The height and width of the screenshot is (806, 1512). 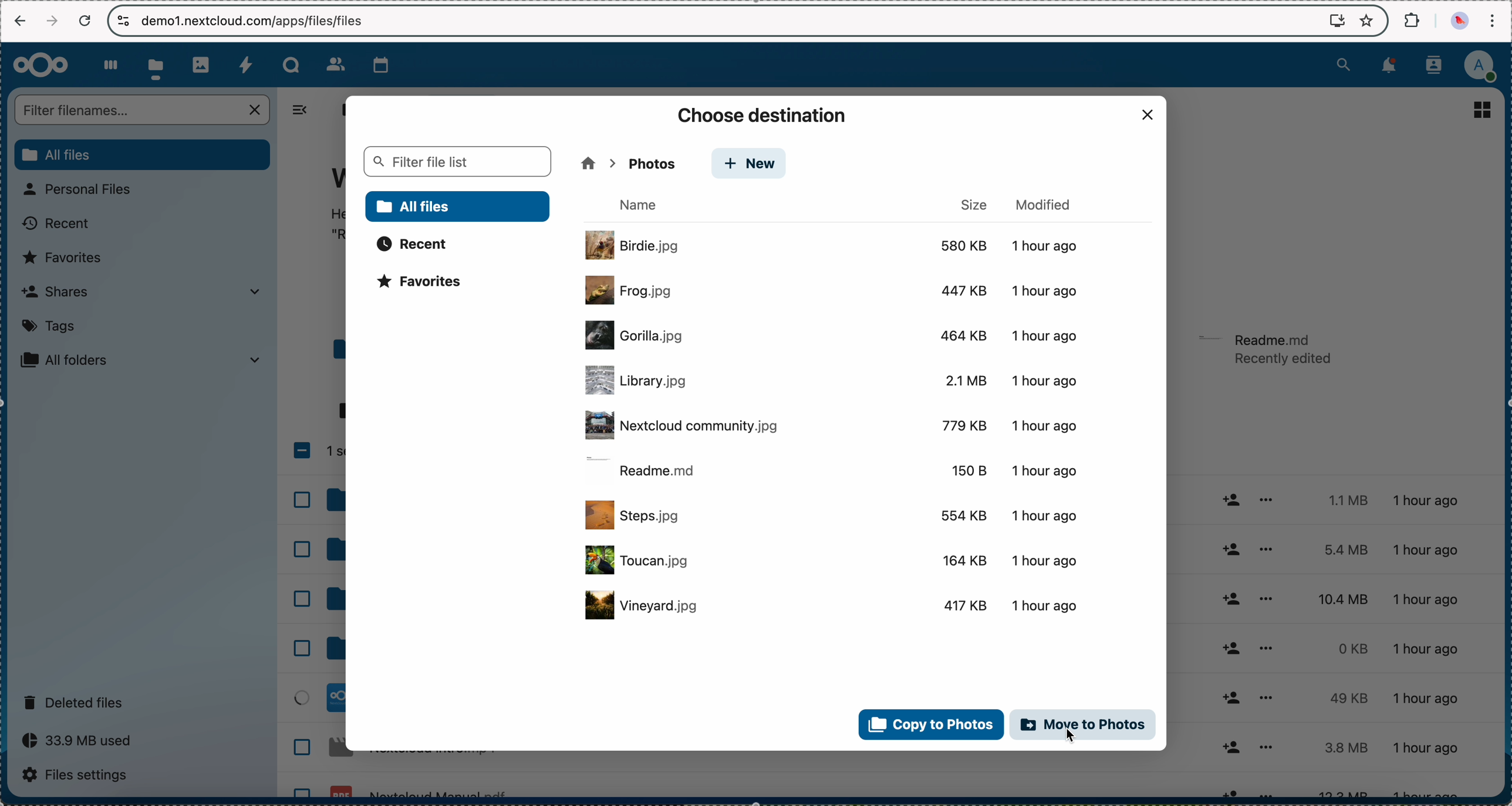 I want to click on file, so click(x=837, y=334).